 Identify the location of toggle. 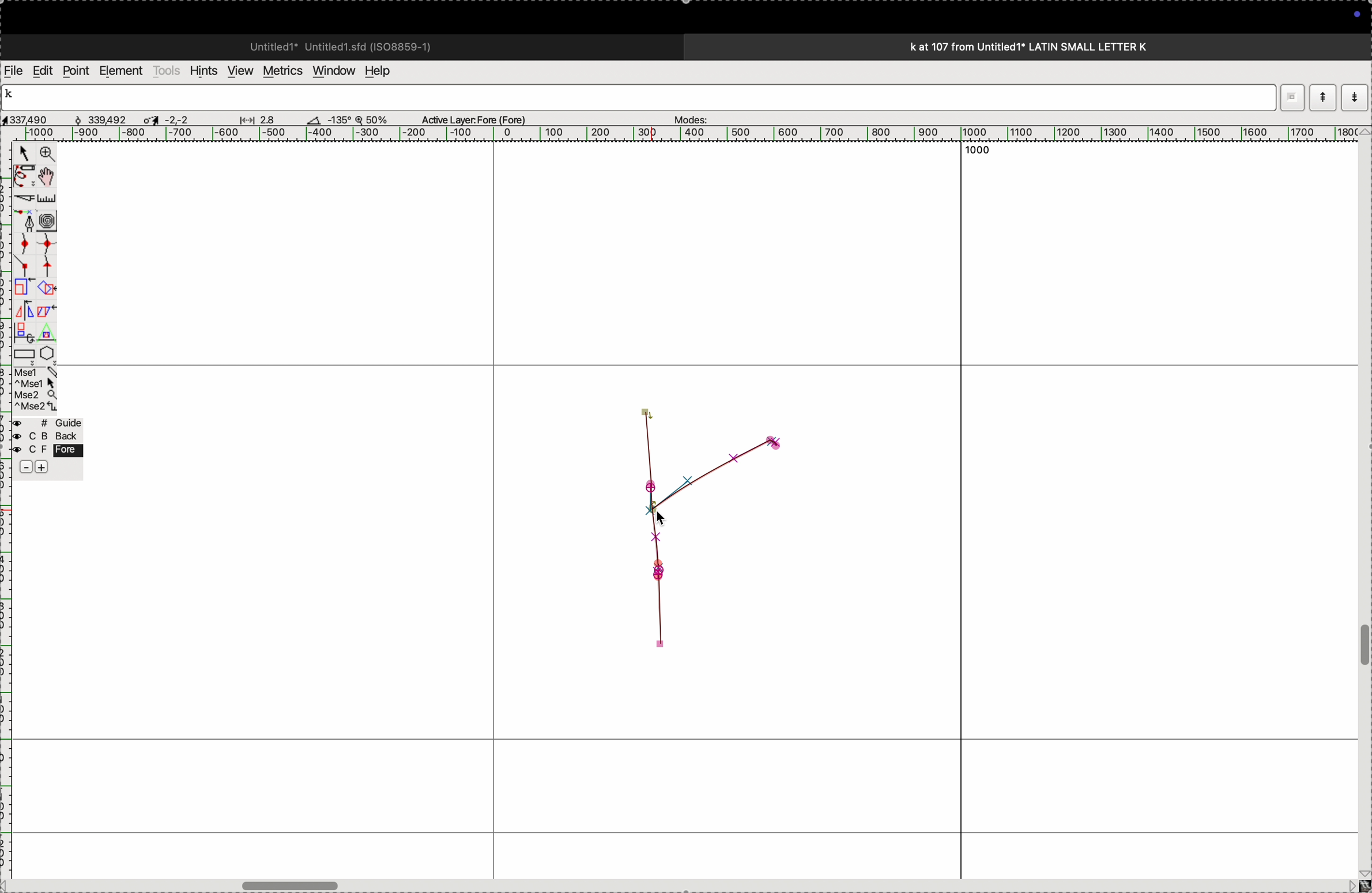
(50, 176).